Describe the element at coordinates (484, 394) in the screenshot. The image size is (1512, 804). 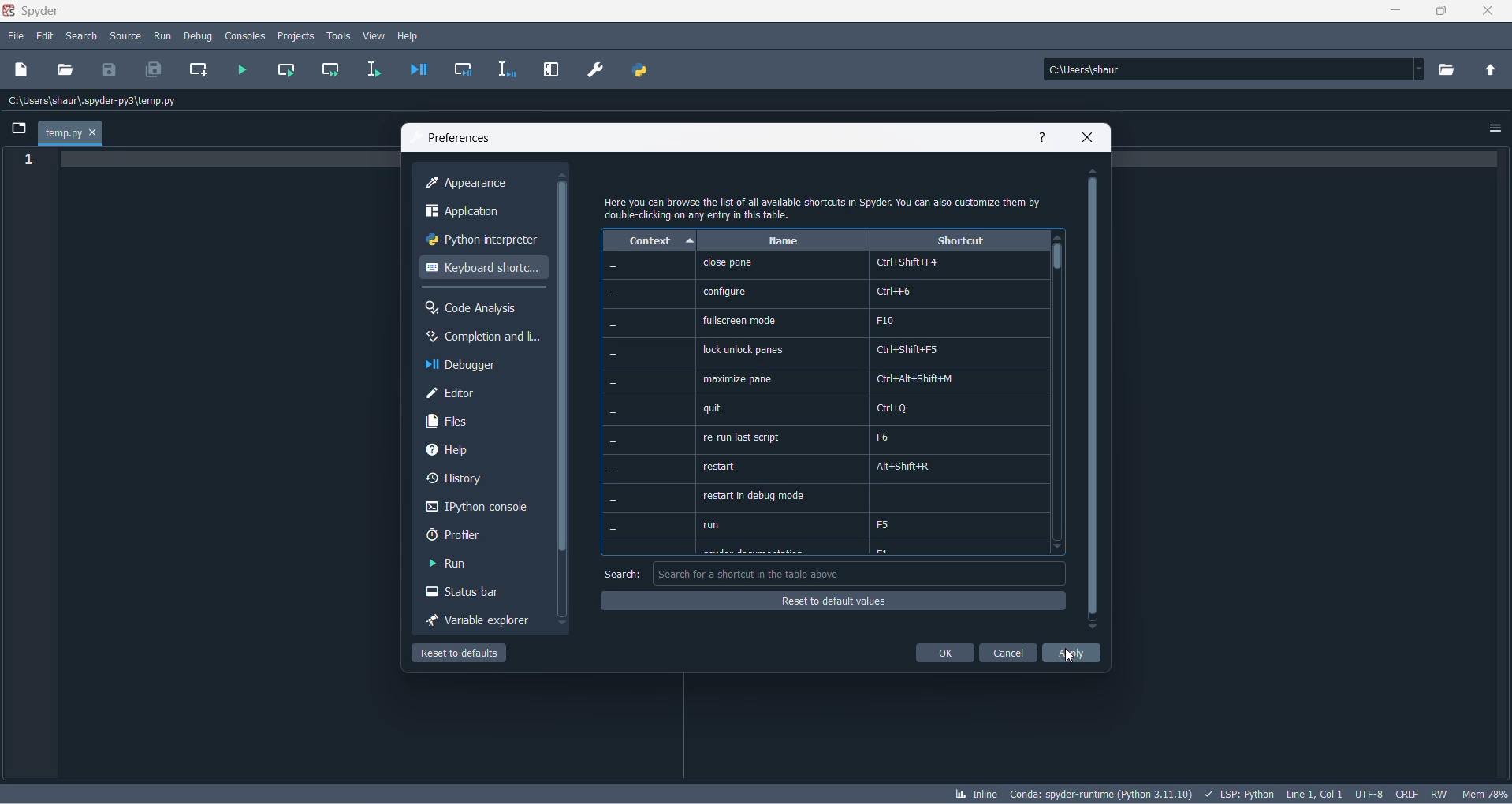
I see `editor` at that location.